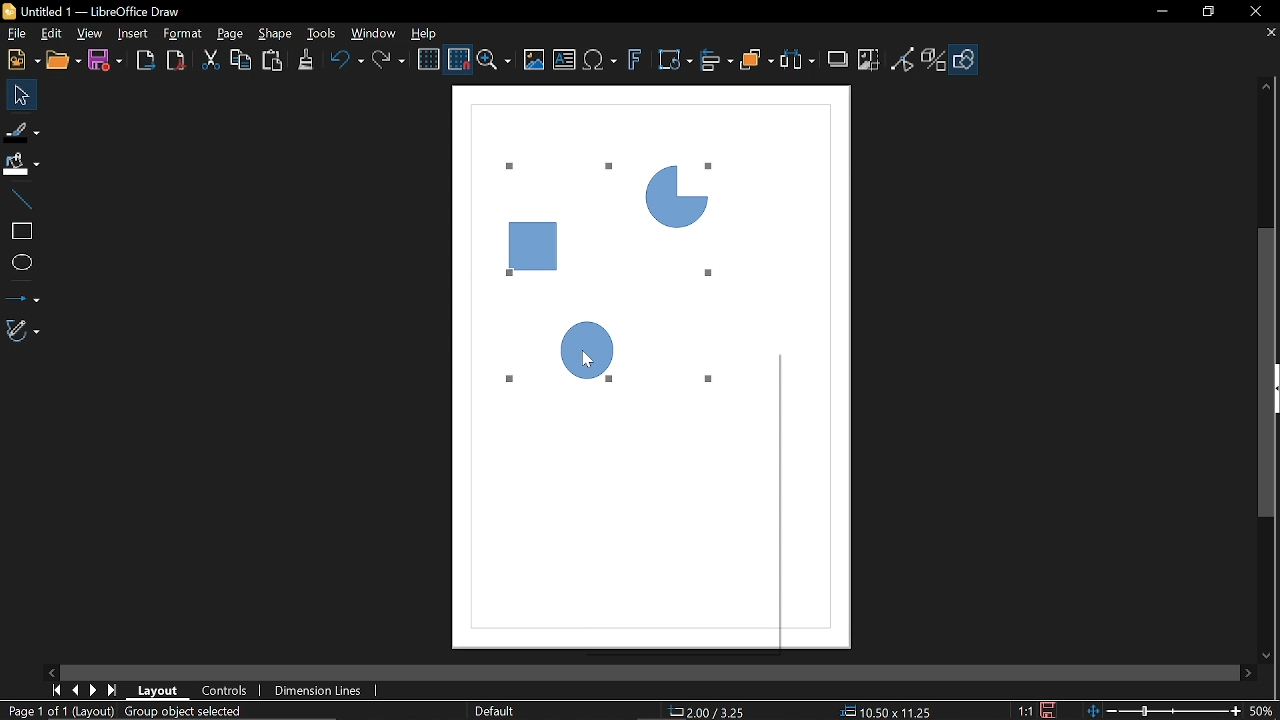 Image resolution: width=1280 pixels, height=720 pixels. What do you see at coordinates (1047, 710) in the screenshot?
I see `Save` at bounding box center [1047, 710].